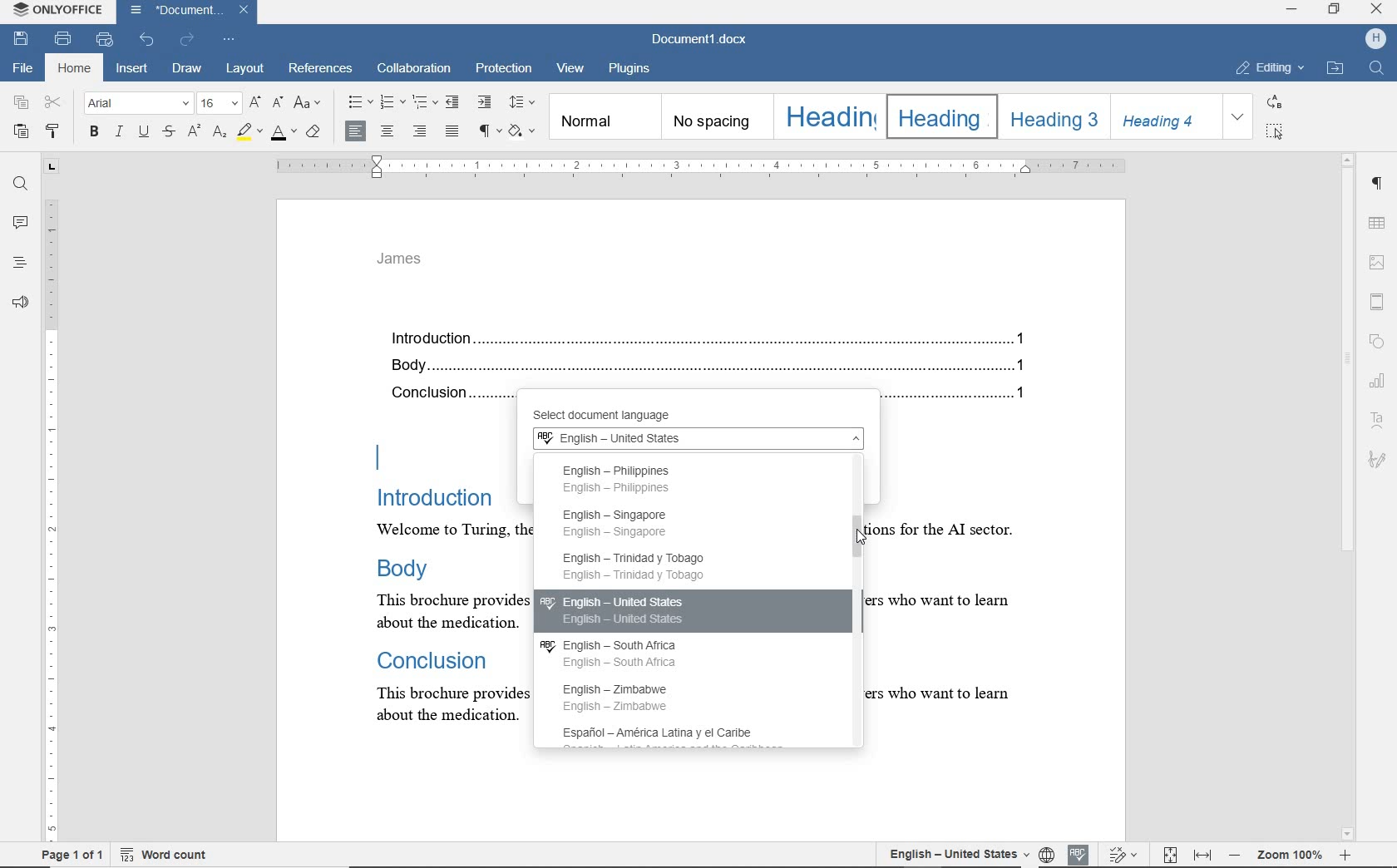  Describe the element at coordinates (1380, 343) in the screenshot. I see `shapes` at that location.